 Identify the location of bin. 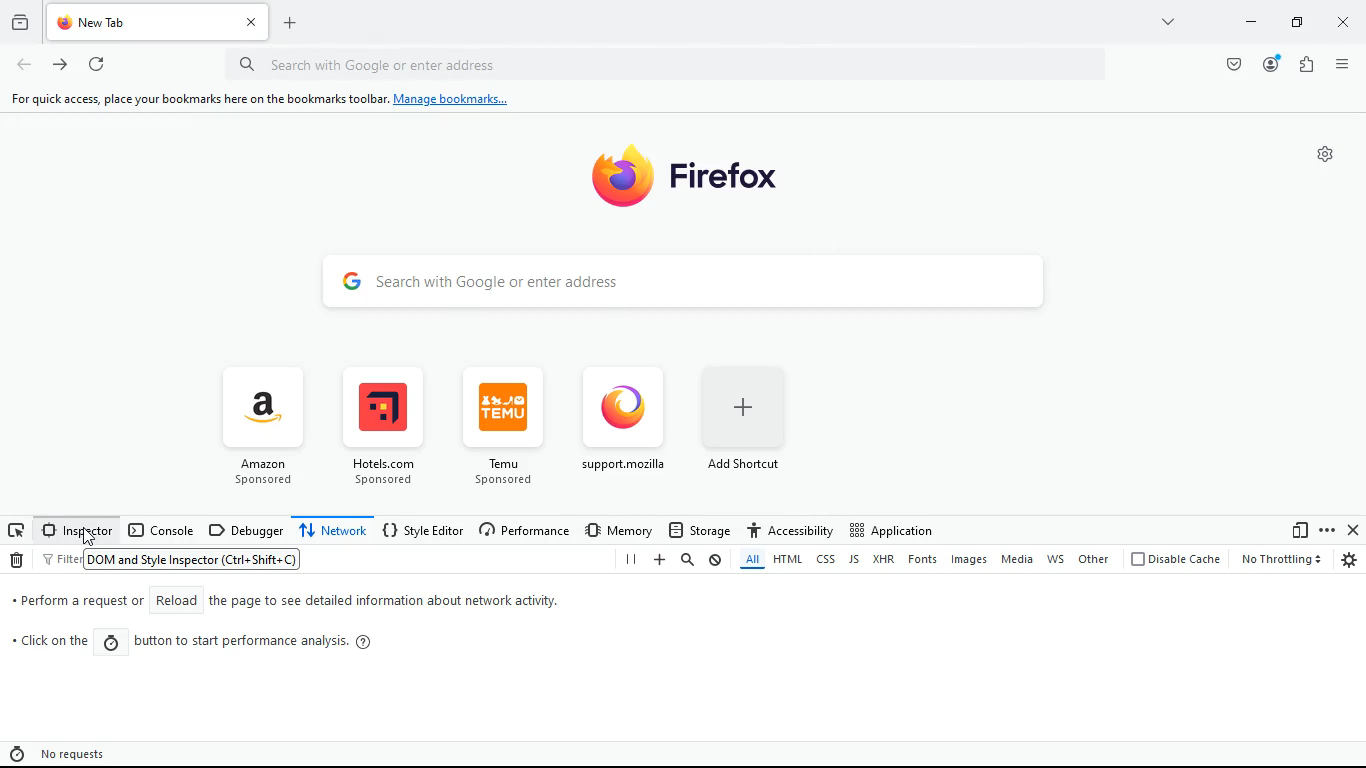
(18, 562).